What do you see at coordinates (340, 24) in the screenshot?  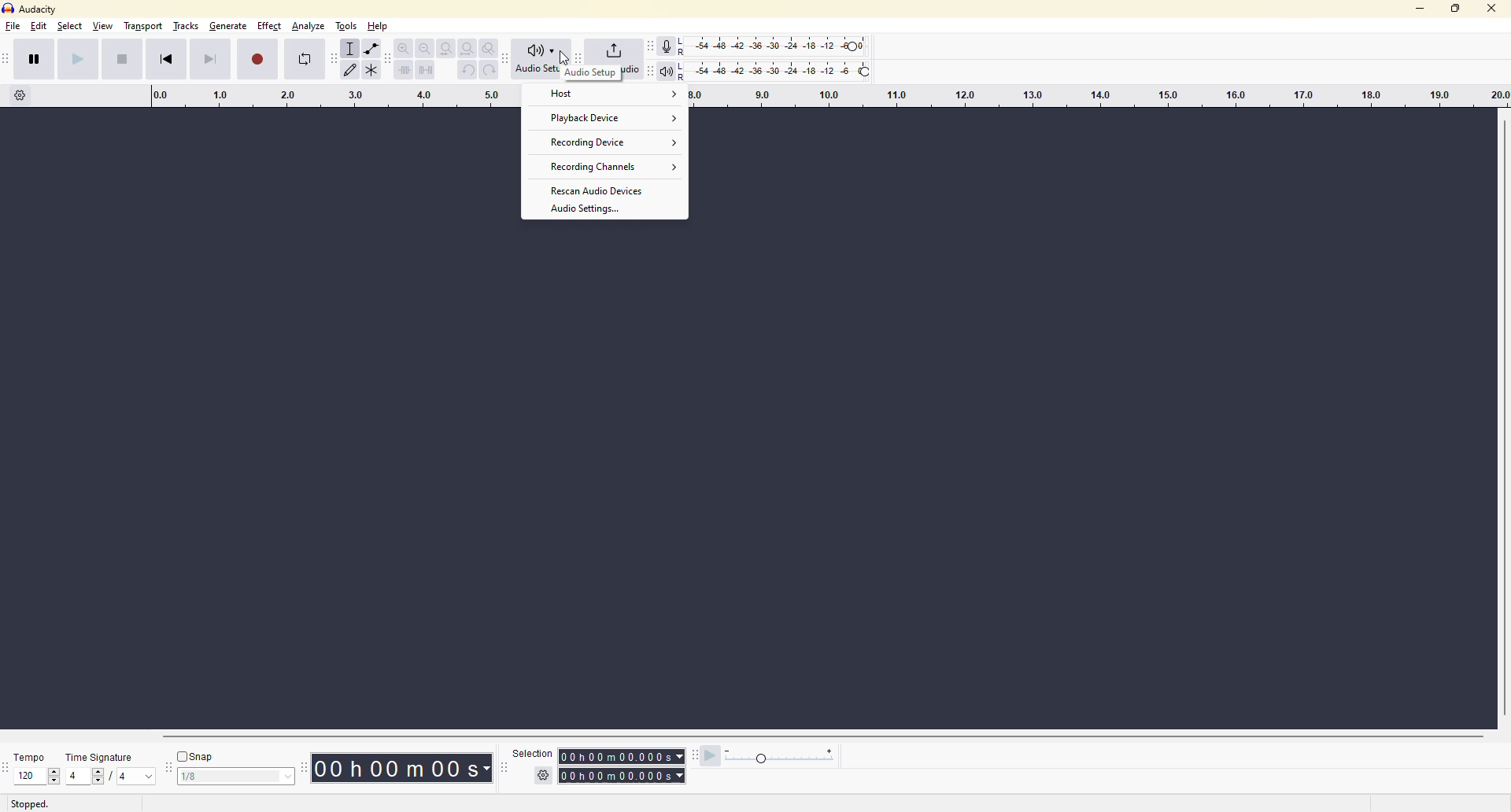 I see `tools` at bounding box center [340, 24].